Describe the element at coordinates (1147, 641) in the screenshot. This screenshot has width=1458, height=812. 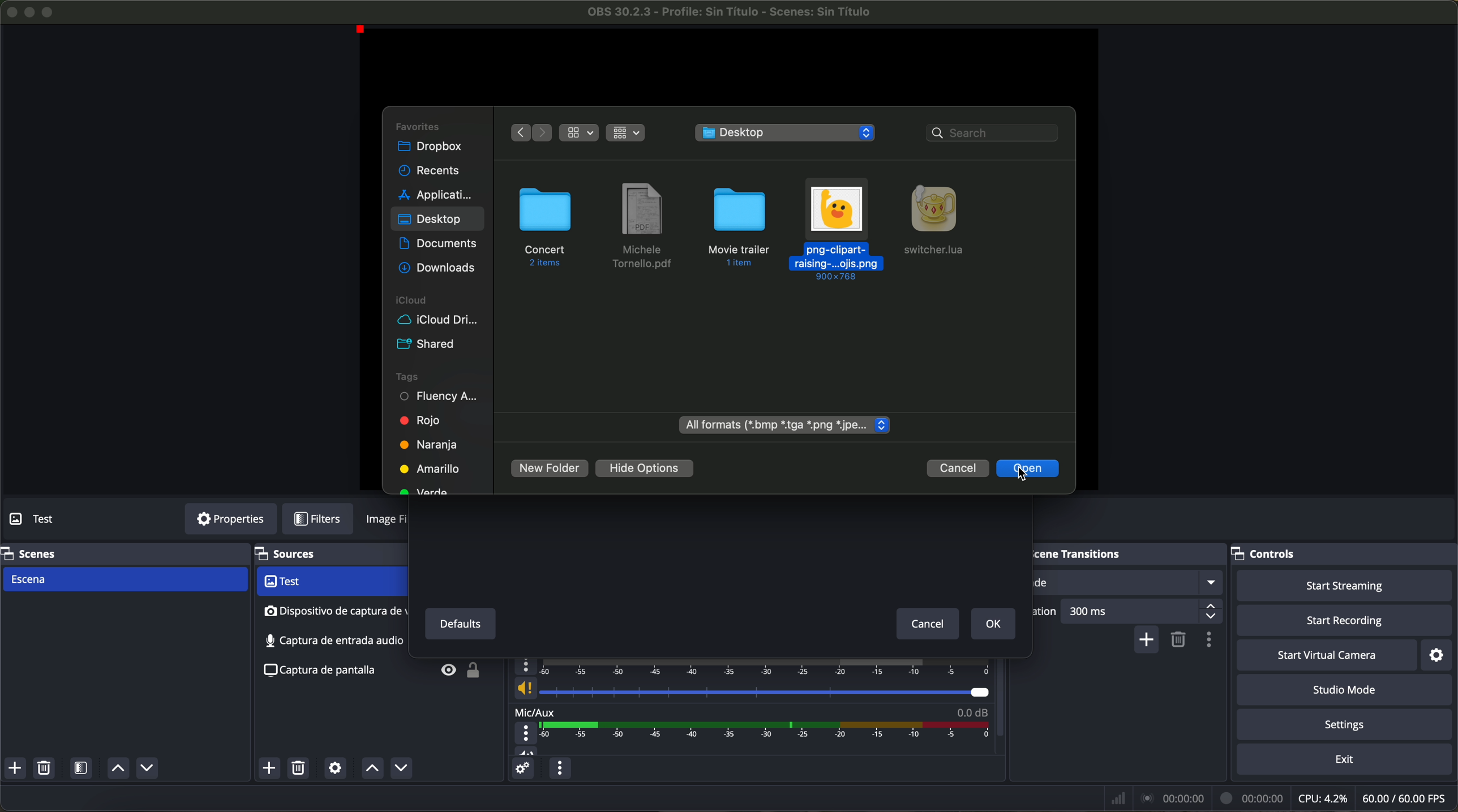
I see `add configurable transition` at that location.